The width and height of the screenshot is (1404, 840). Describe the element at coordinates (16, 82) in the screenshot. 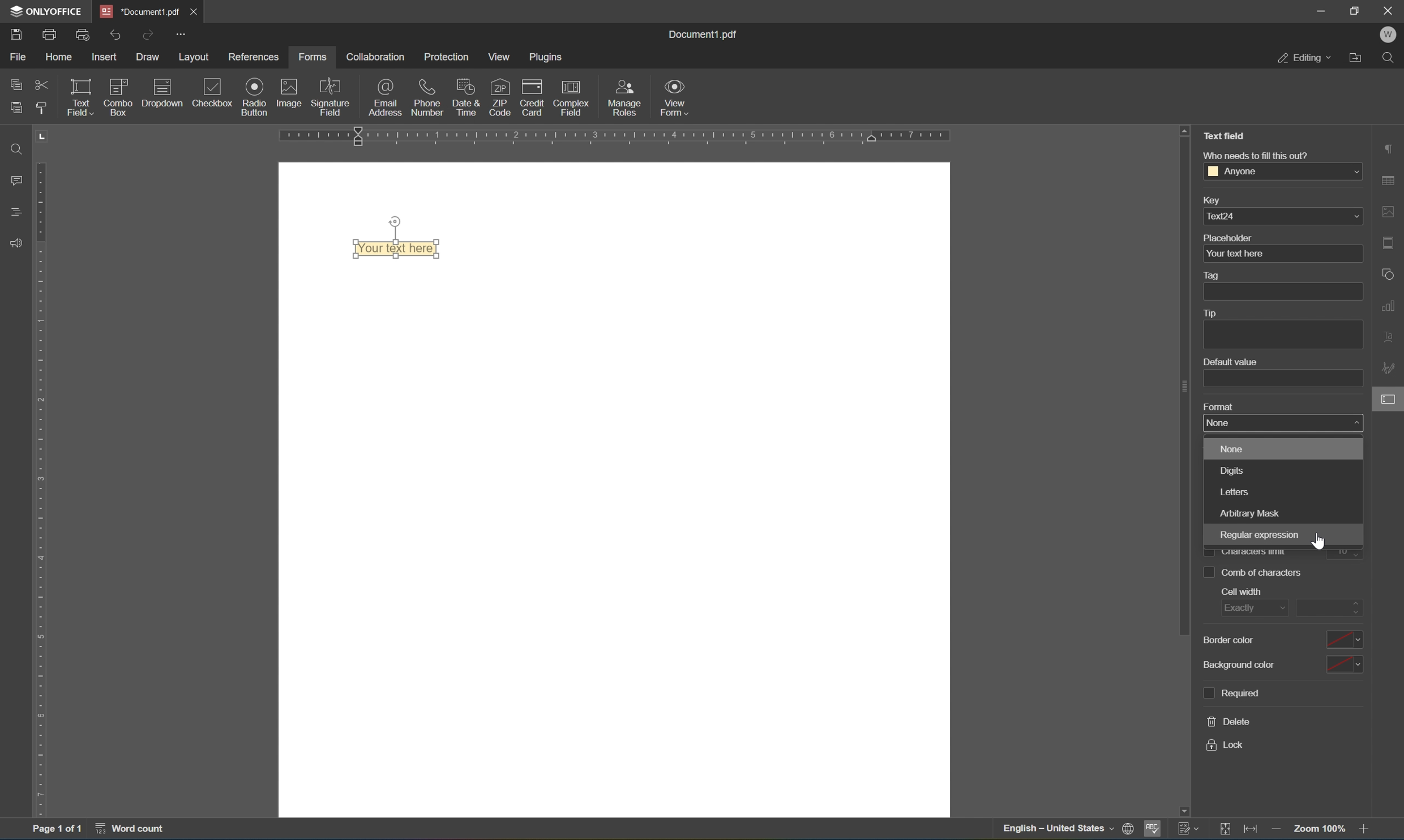

I see `copy` at that location.